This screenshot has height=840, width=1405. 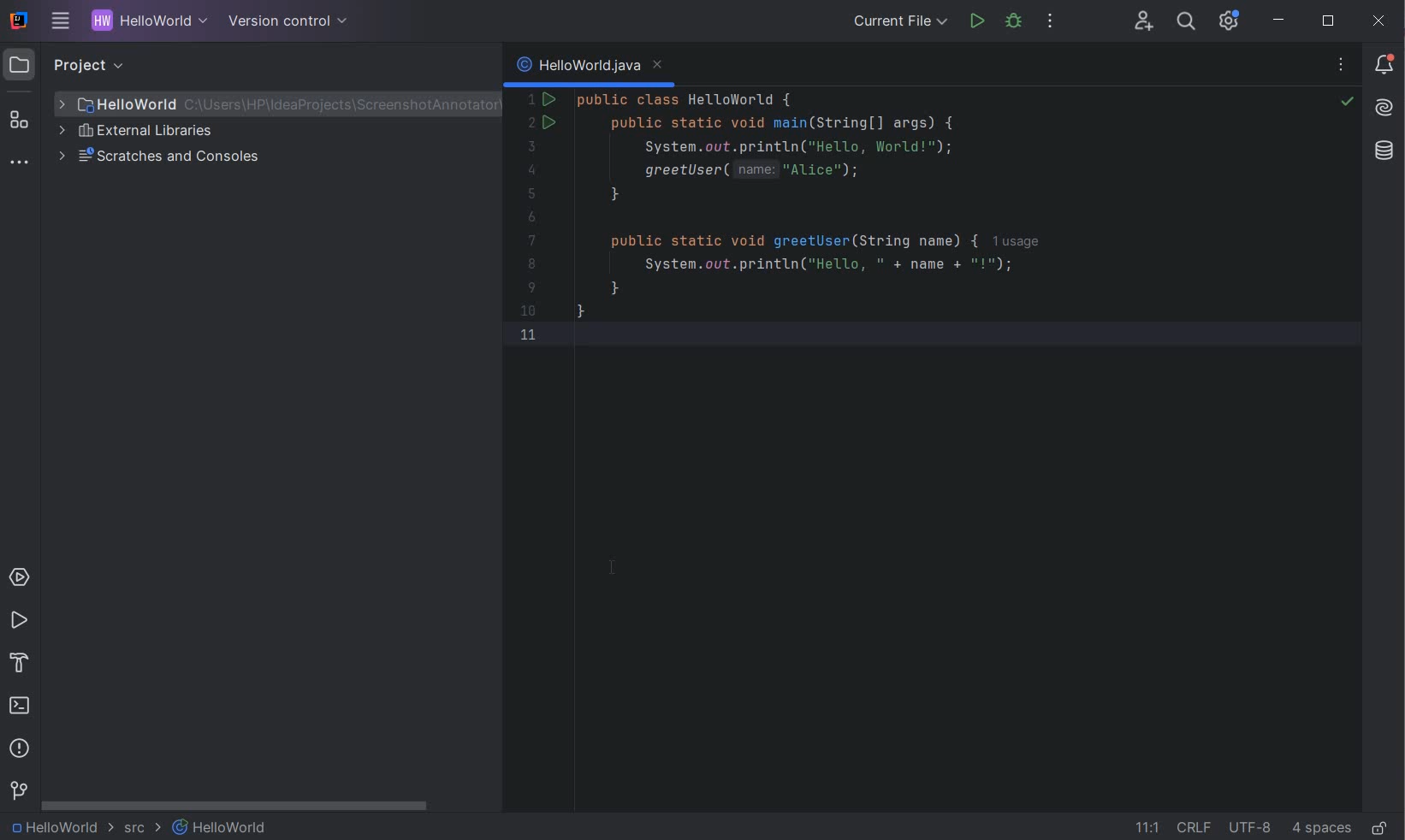 What do you see at coordinates (21, 120) in the screenshot?
I see `STRUCTURE` at bounding box center [21, 120].